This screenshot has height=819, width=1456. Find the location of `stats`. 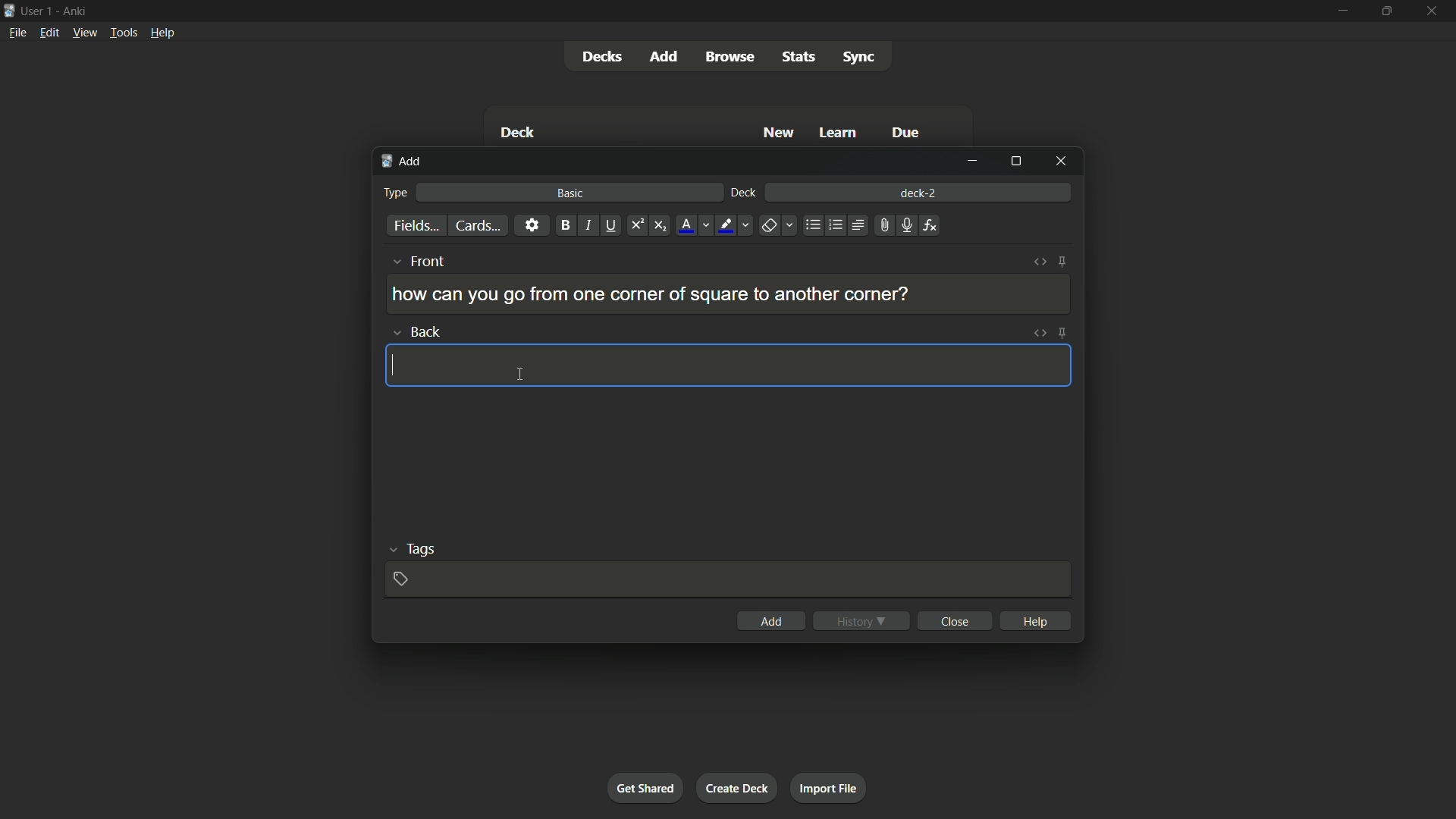

stats is located at coordinates (799, 56).